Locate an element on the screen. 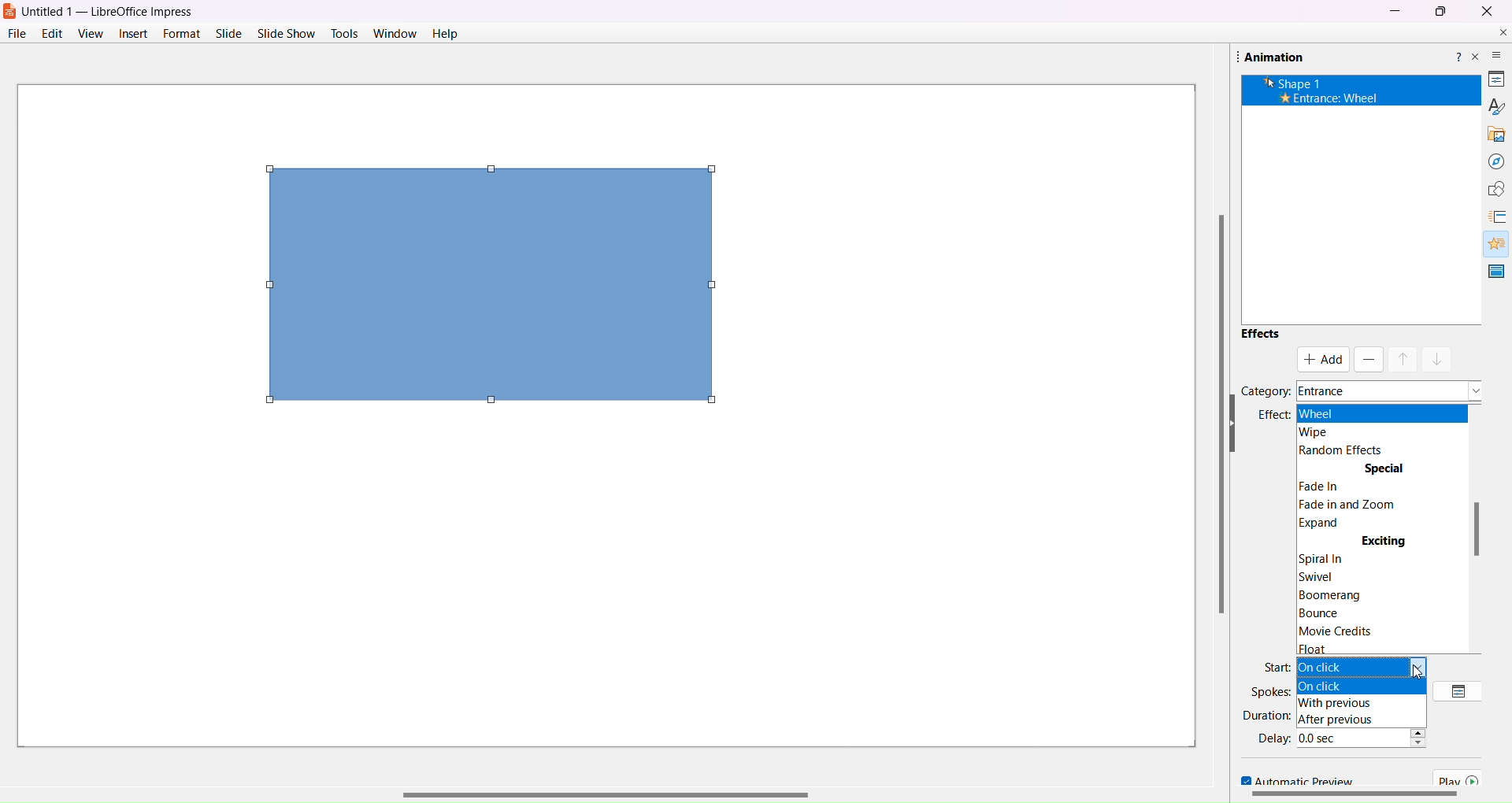 Image resolution: width=1512 pixels, height=803 pixels. Option is located at coordinates (1461, 690).